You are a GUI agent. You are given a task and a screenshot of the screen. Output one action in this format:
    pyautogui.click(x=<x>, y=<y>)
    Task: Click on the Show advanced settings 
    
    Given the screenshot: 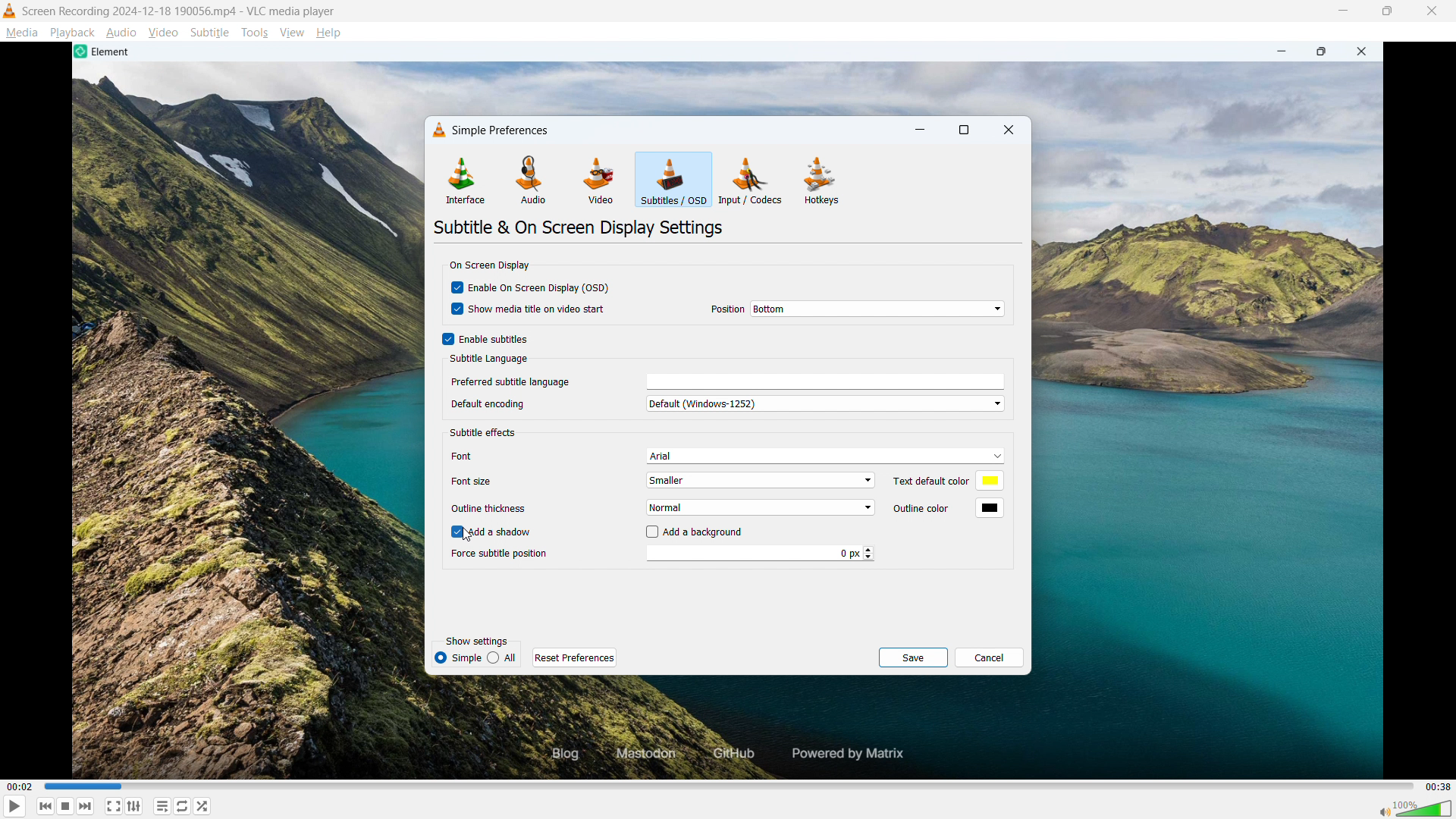 What is the action you would take?
    pyautogui.click(x=133, y=807)
    